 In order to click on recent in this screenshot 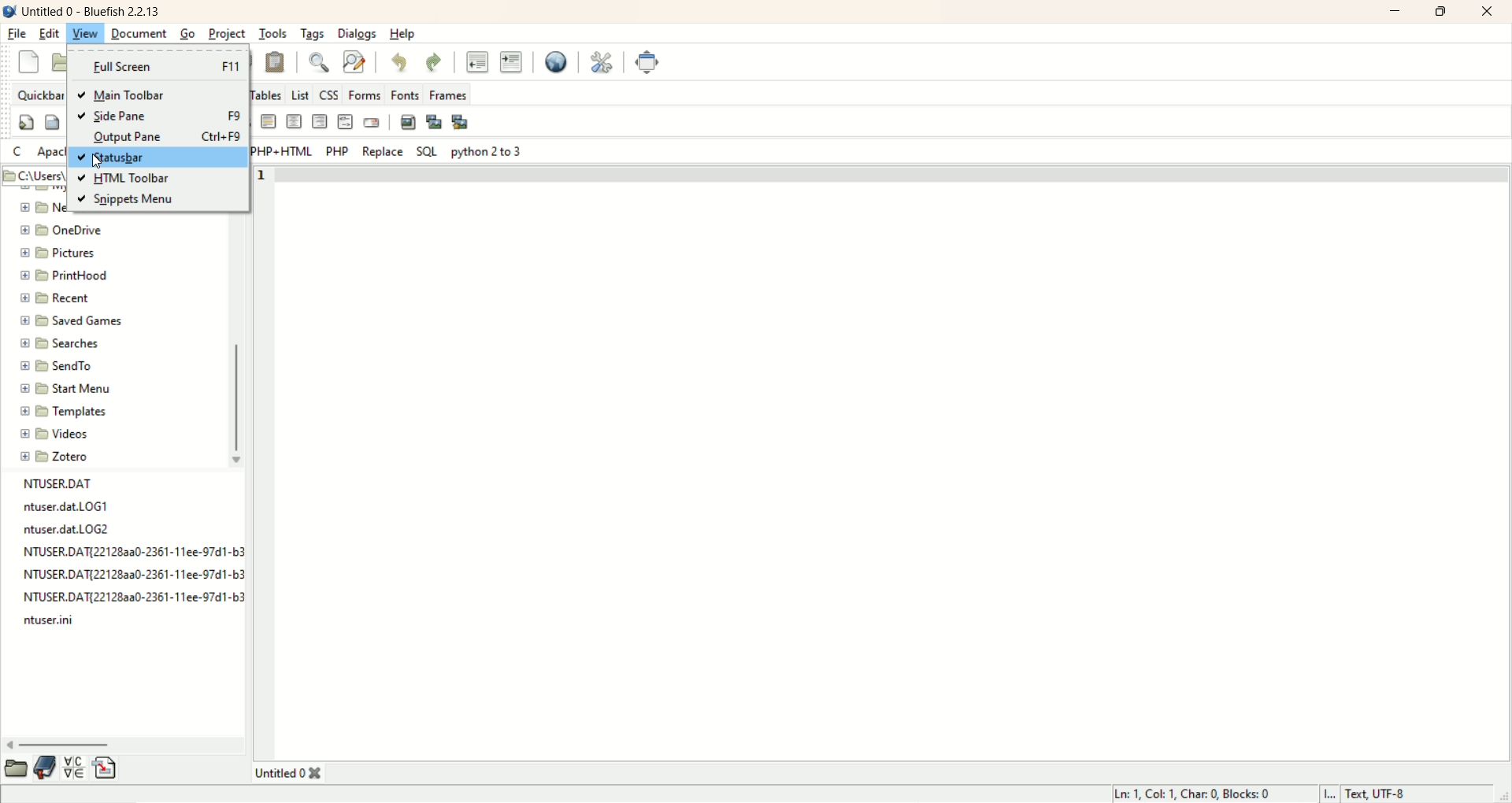, I will do `click(56, 300)`.